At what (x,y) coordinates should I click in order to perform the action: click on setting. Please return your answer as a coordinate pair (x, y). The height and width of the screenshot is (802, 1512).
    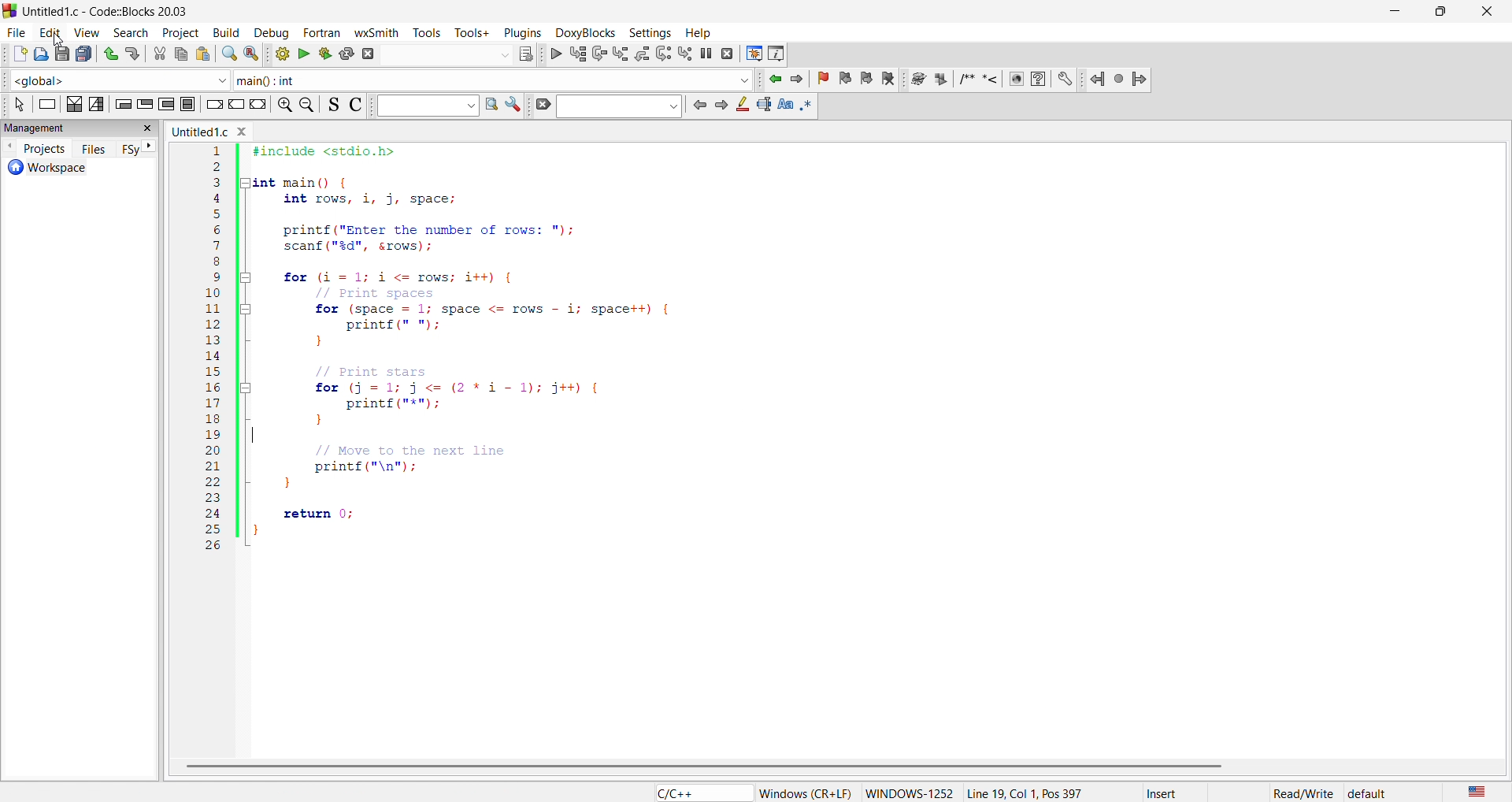
    Looking at the image, I should click on (647, 32).